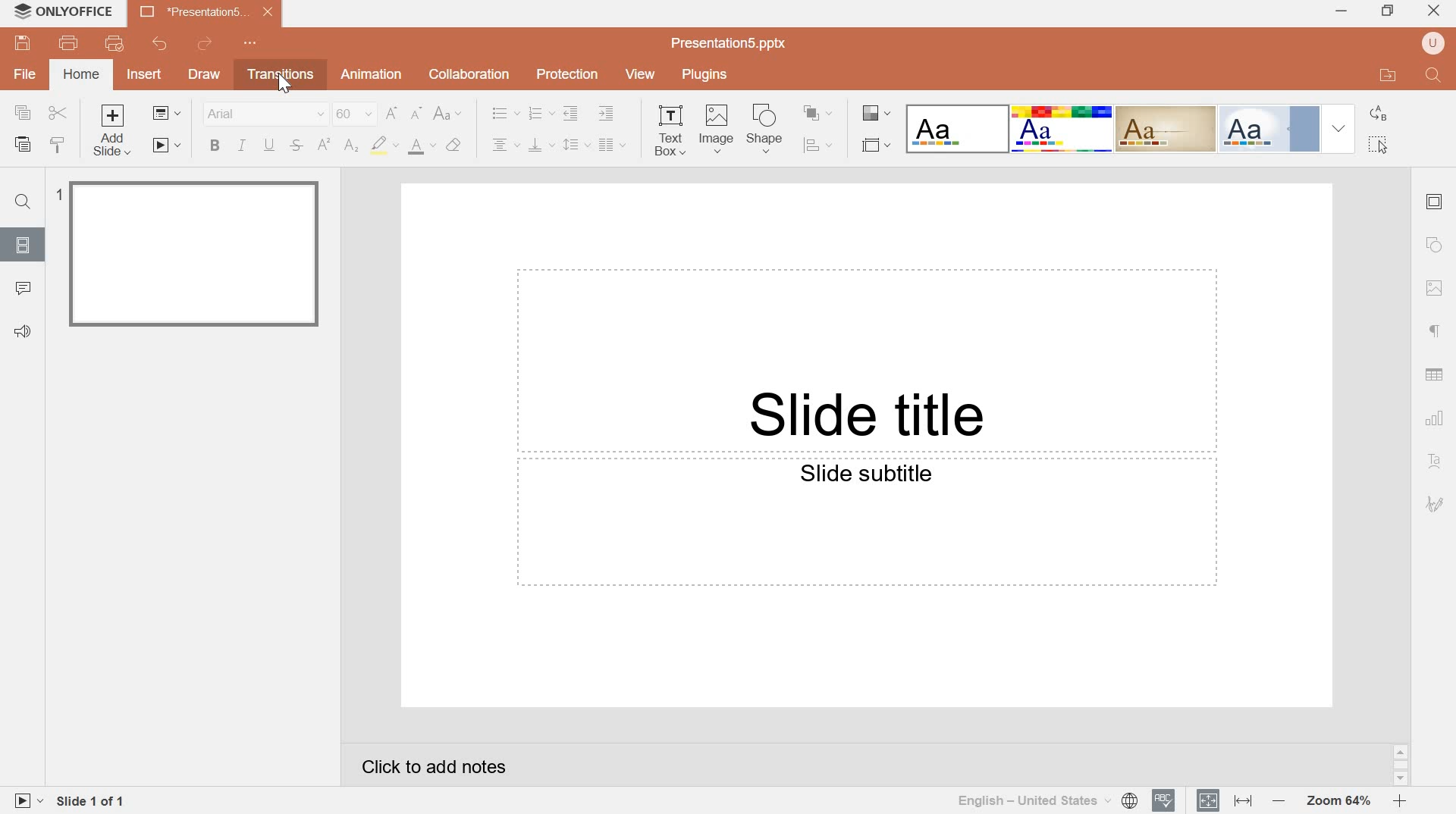 The height and width of the screenshot is (814, 1456). Describe the element at coordinates (268, 146) in the screenshot. I see `Underline` at that location.